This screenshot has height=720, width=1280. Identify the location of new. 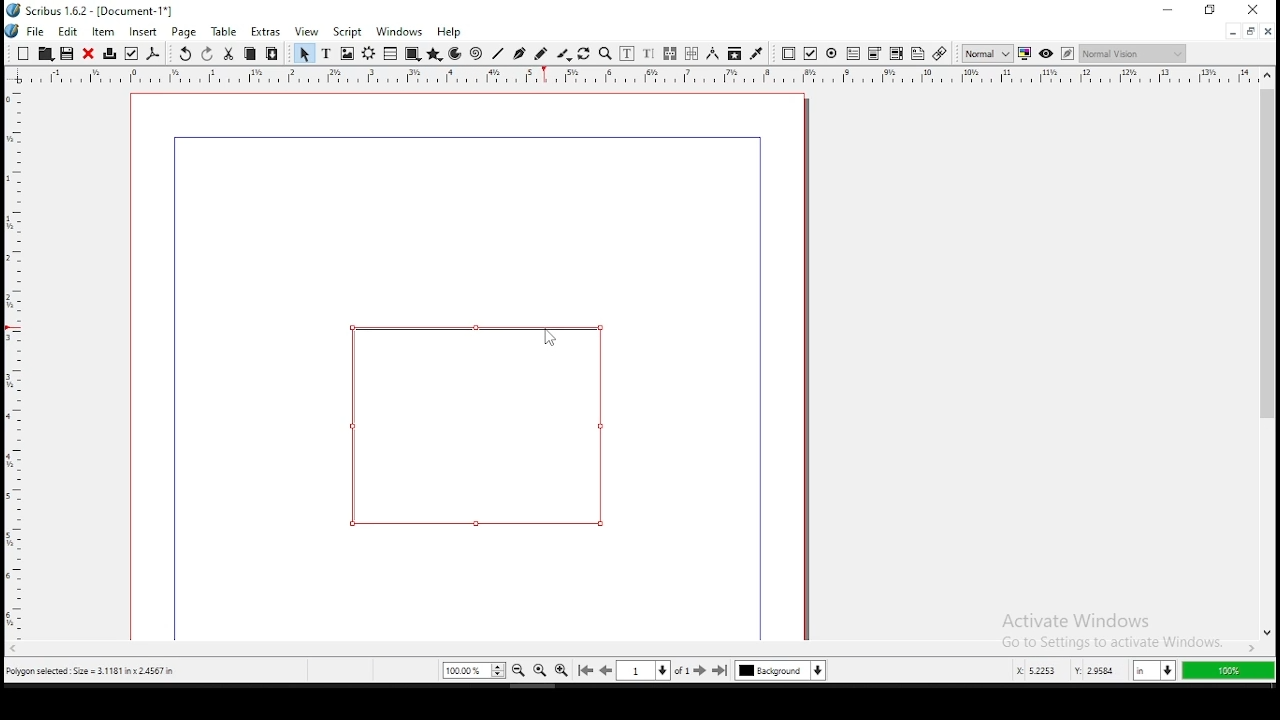
(23, 52).